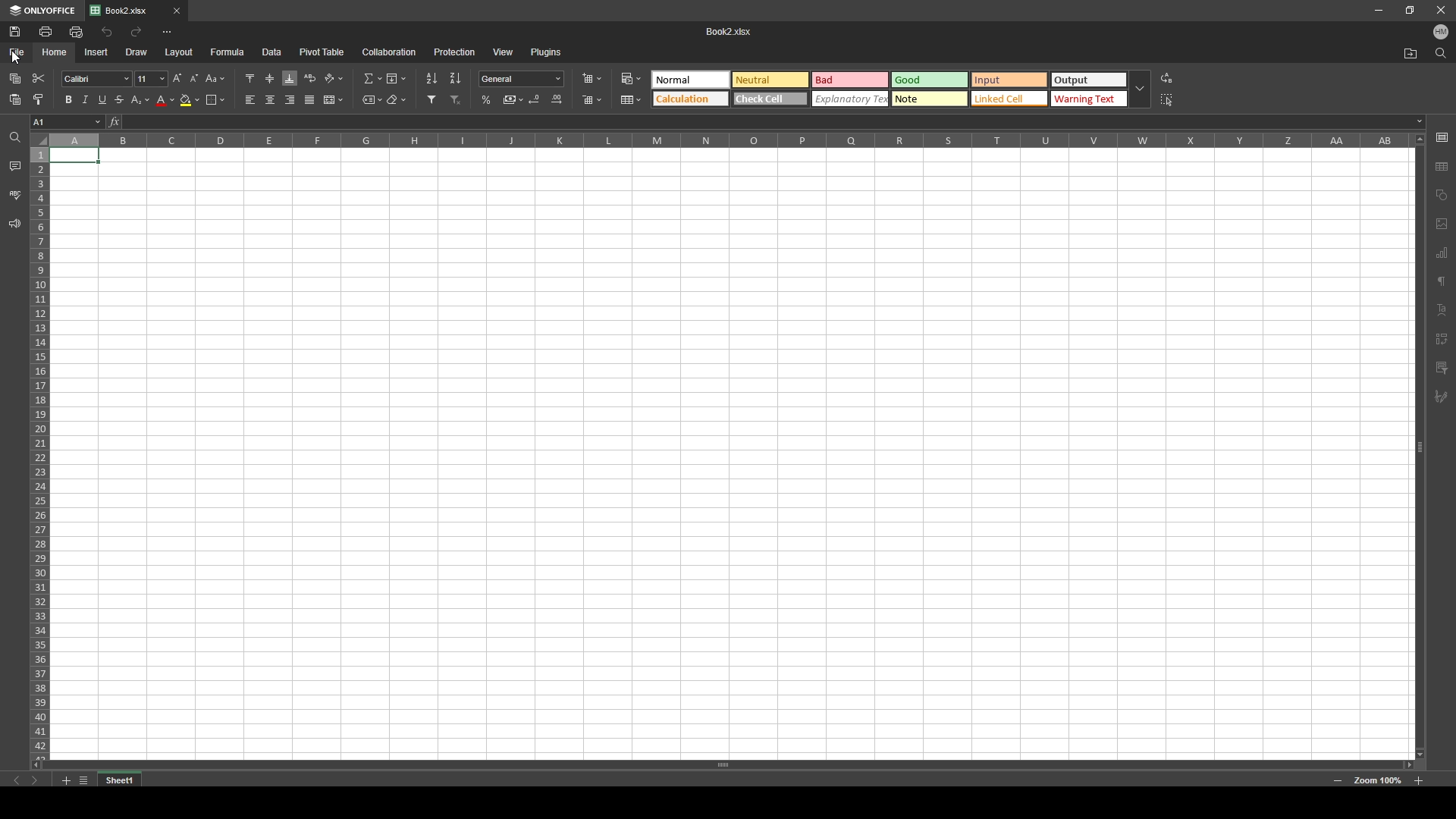  I want to click on close, so click(1439, 10).